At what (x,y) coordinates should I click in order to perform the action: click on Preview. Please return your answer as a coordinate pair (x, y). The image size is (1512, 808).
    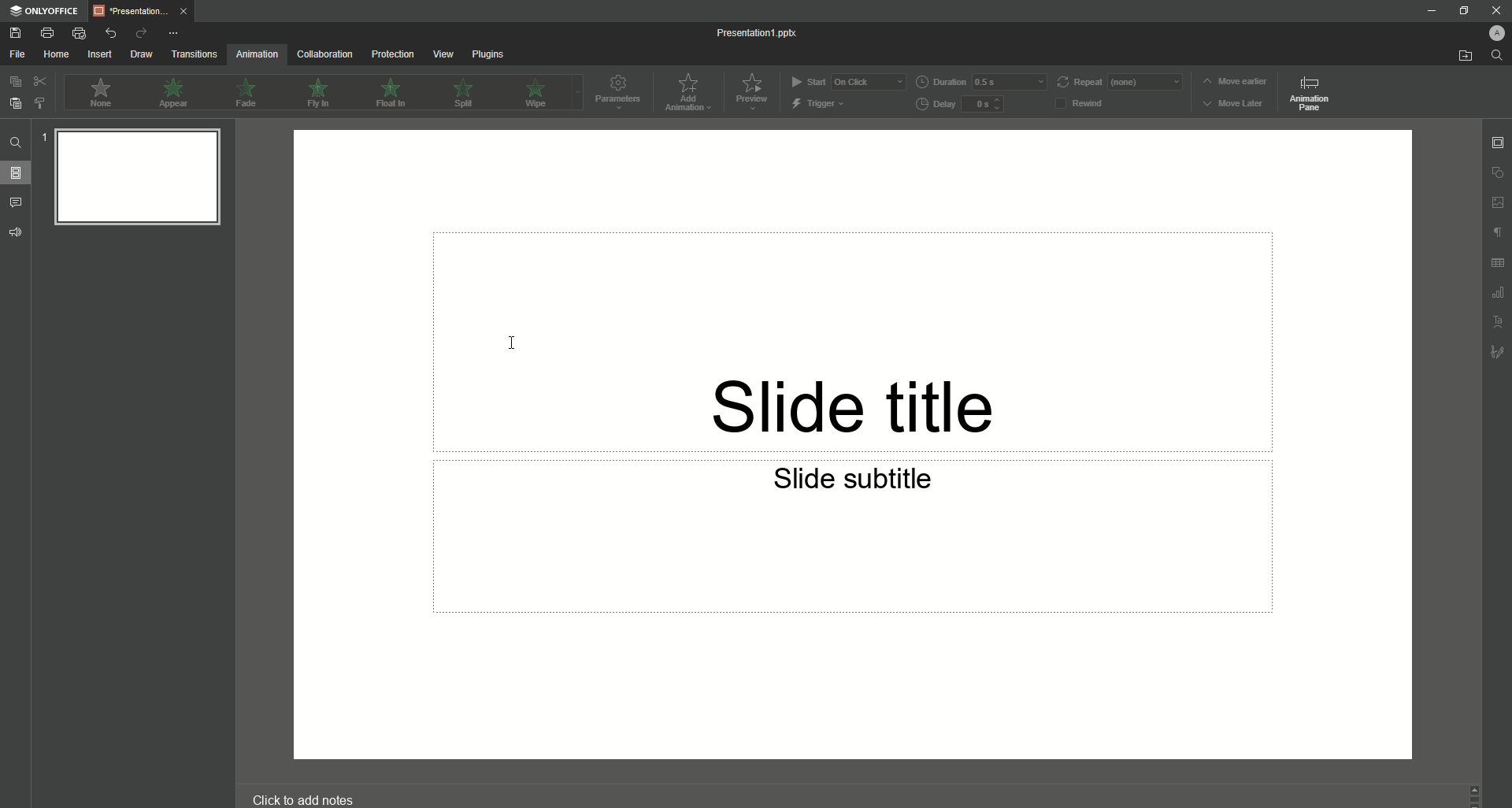
    Looking at the image, I should click on (754, 92).